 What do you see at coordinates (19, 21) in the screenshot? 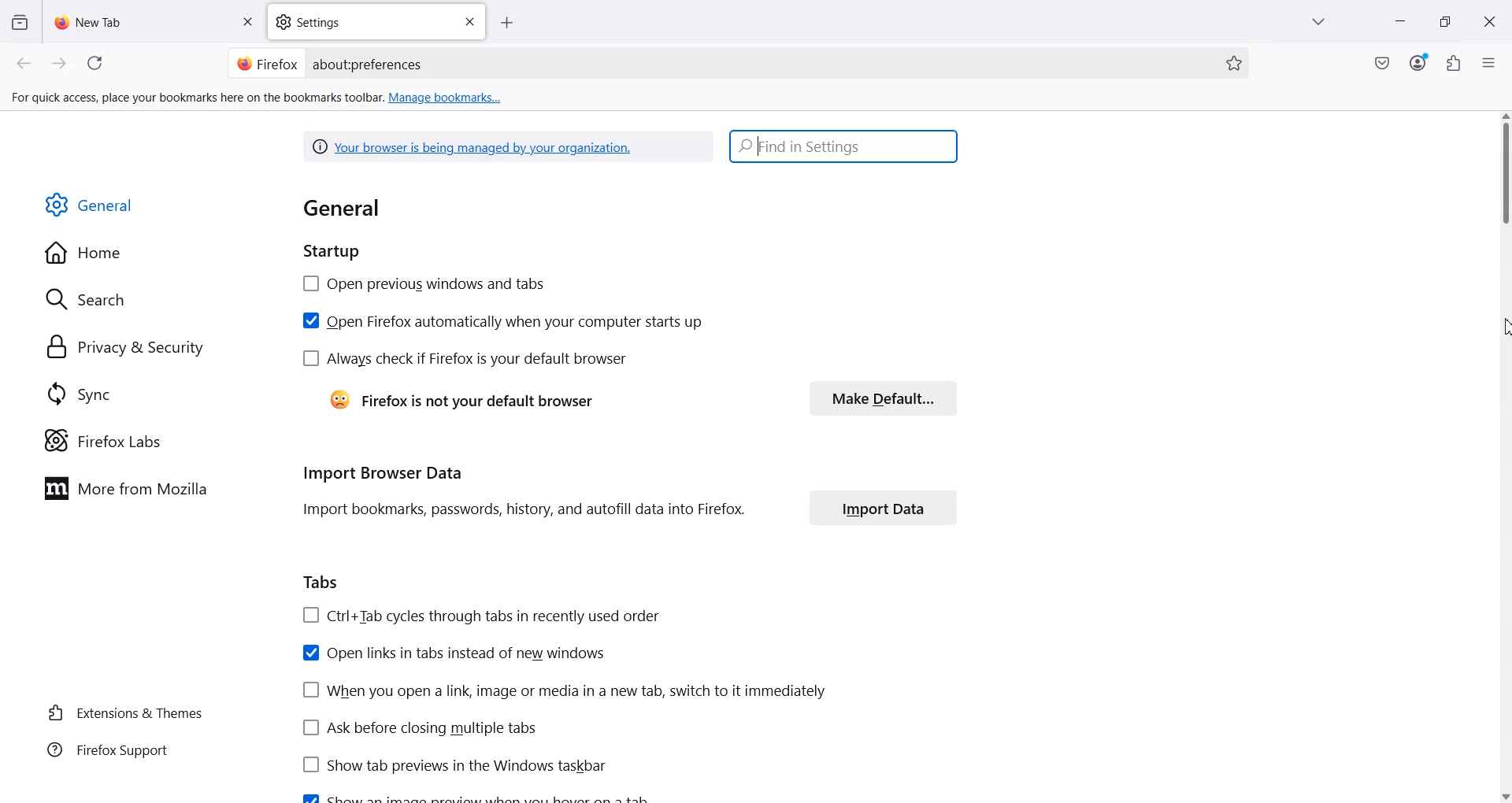
I see `View recent browsing across window` at bounding box center [19, 21].